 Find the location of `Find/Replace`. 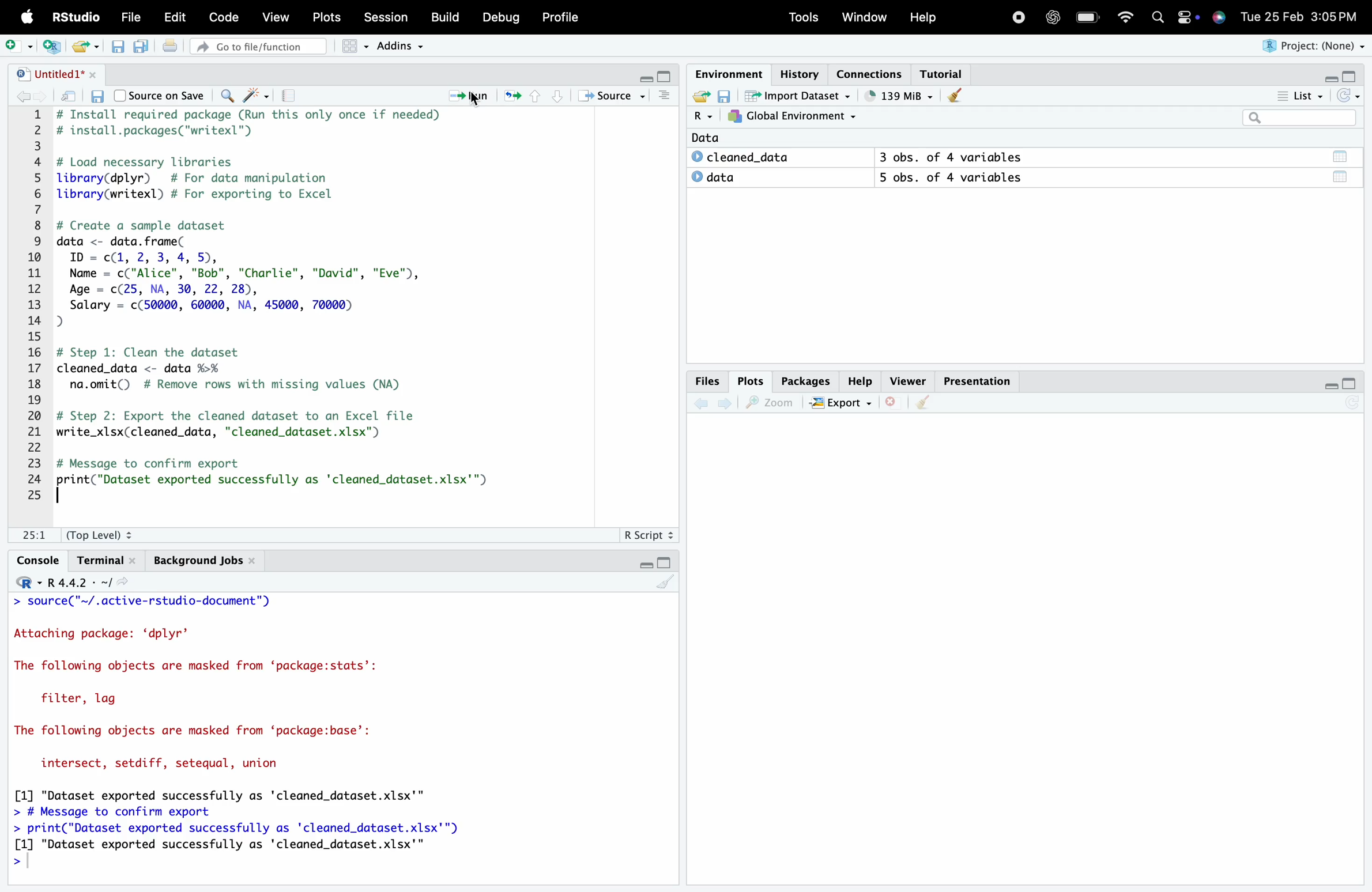

Find/Replace is located at coordinates (226, 96).